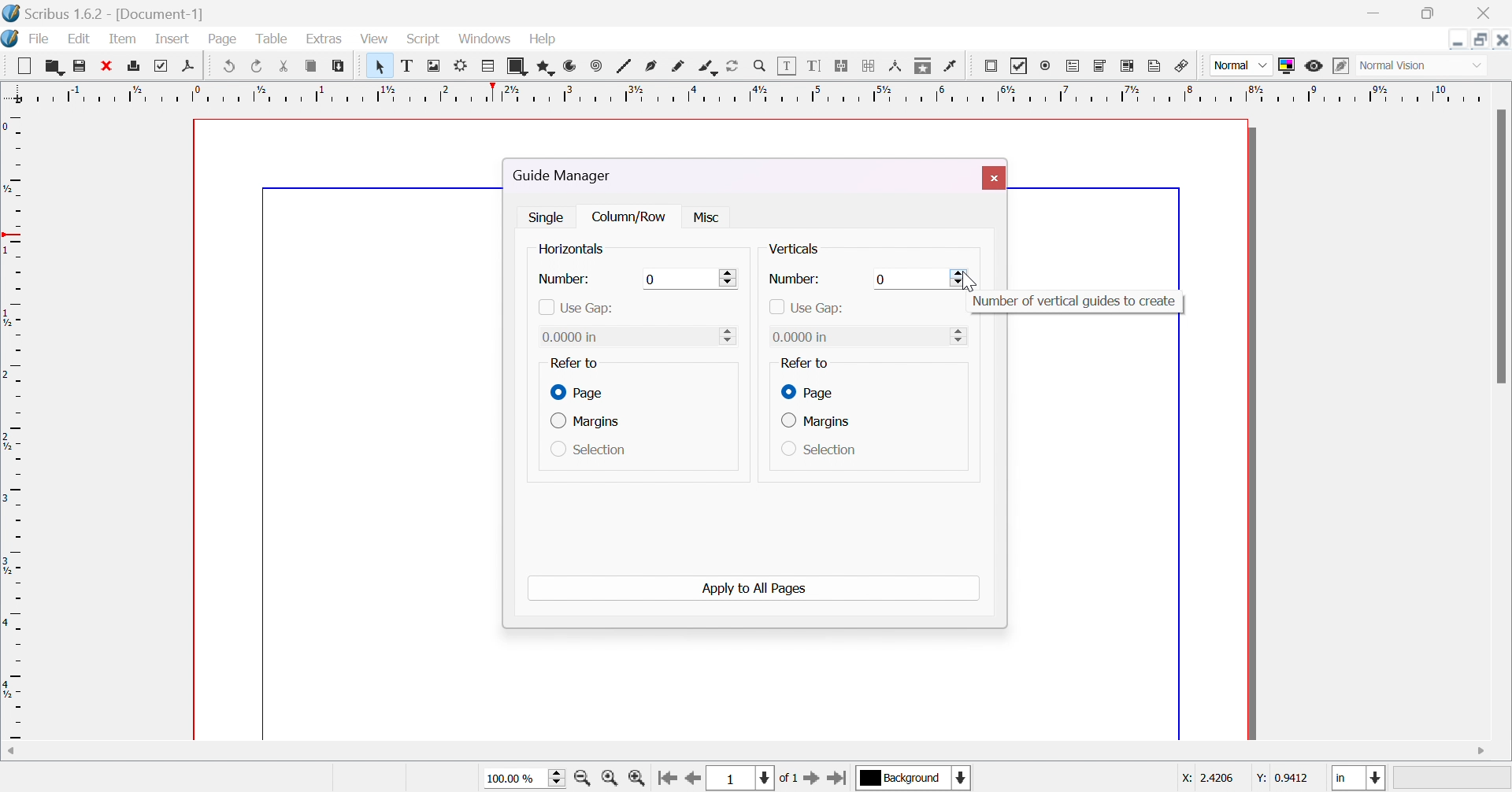 The height and width of the screenshot is (792, 1512). I want to click on scribus 1.6.2 [Document-1], so click(105, 11).